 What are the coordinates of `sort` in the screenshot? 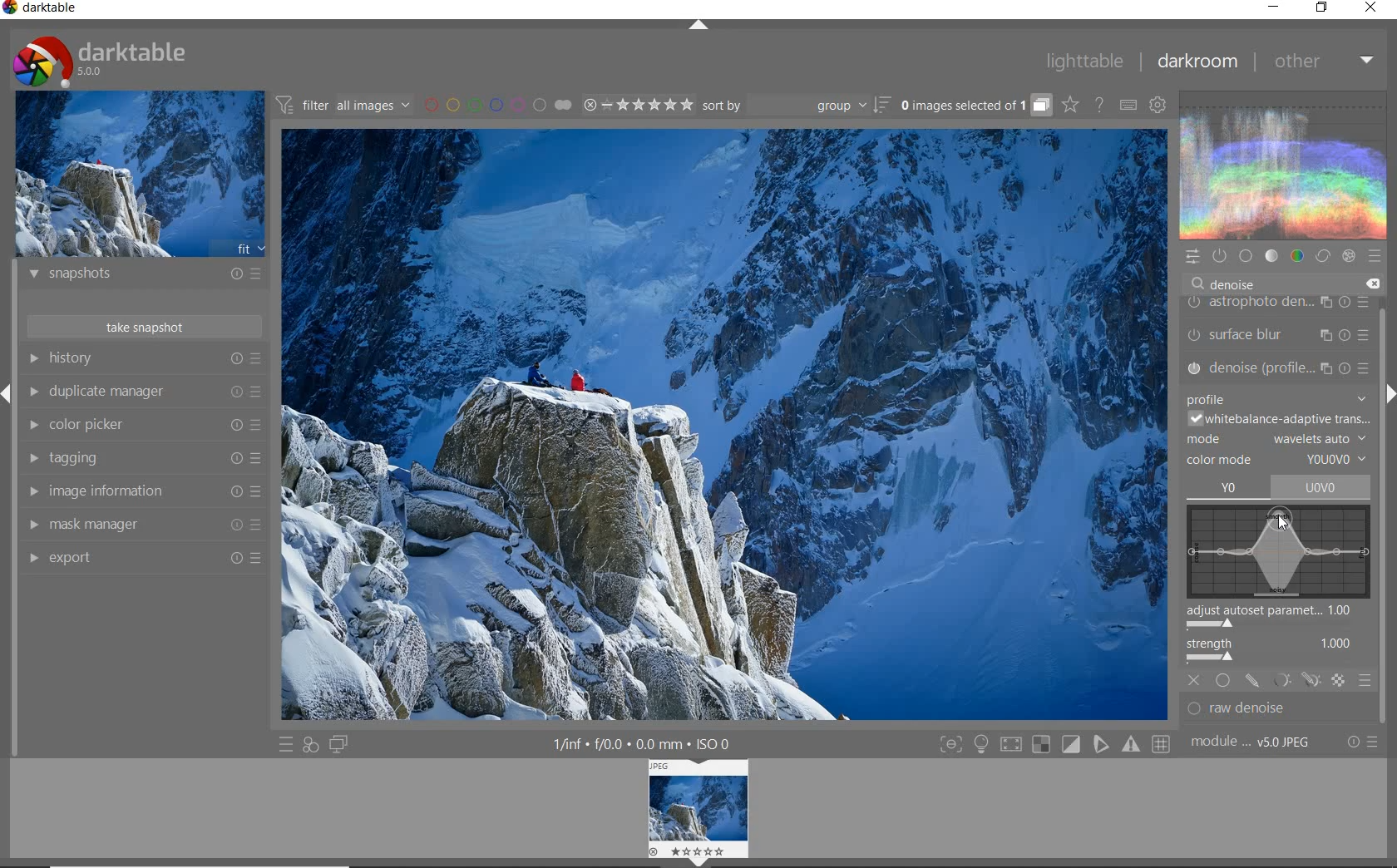 It's located at (796, 106).